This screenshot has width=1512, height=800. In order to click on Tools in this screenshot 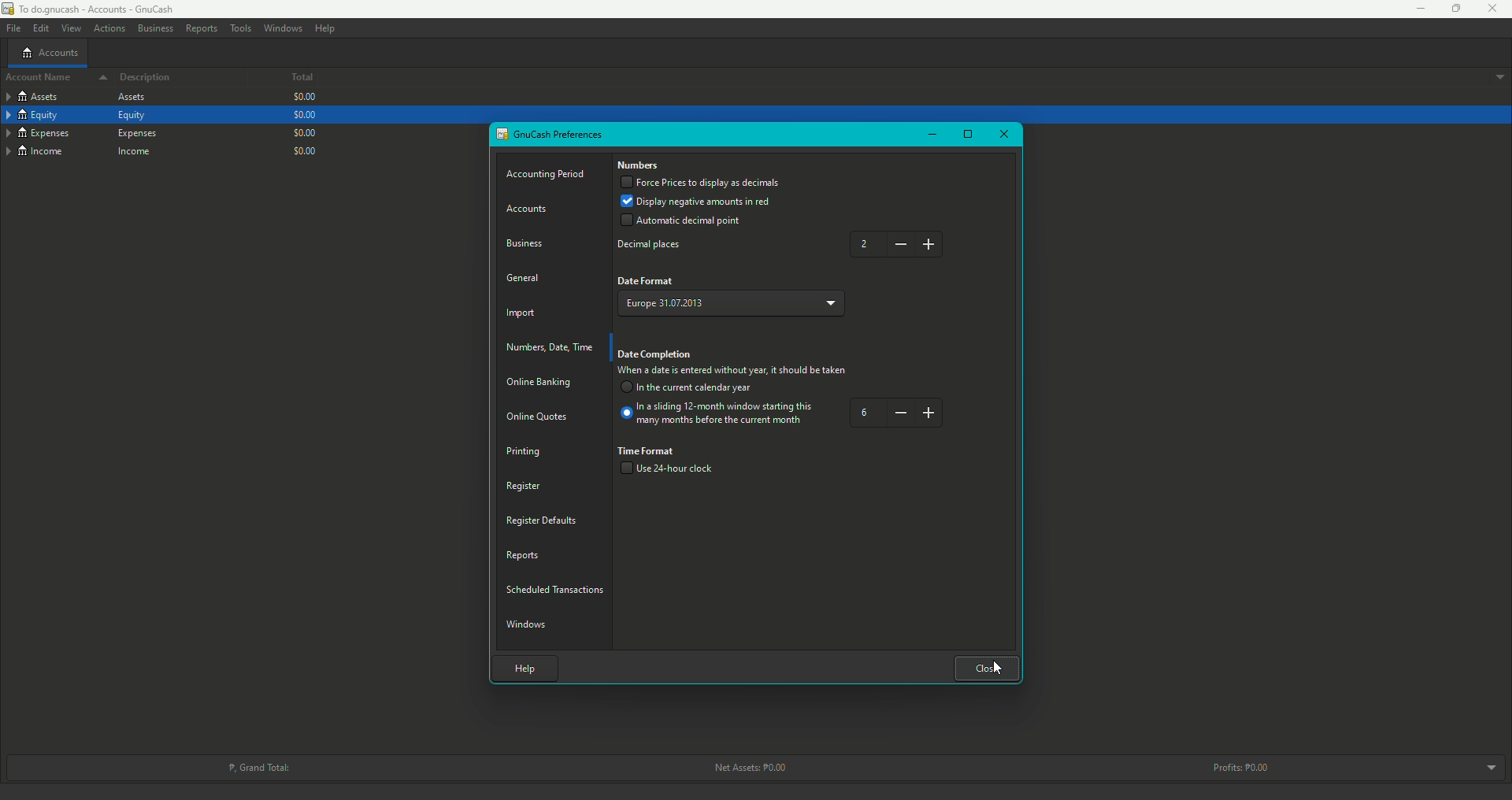, I will do `click(240, 28)`.